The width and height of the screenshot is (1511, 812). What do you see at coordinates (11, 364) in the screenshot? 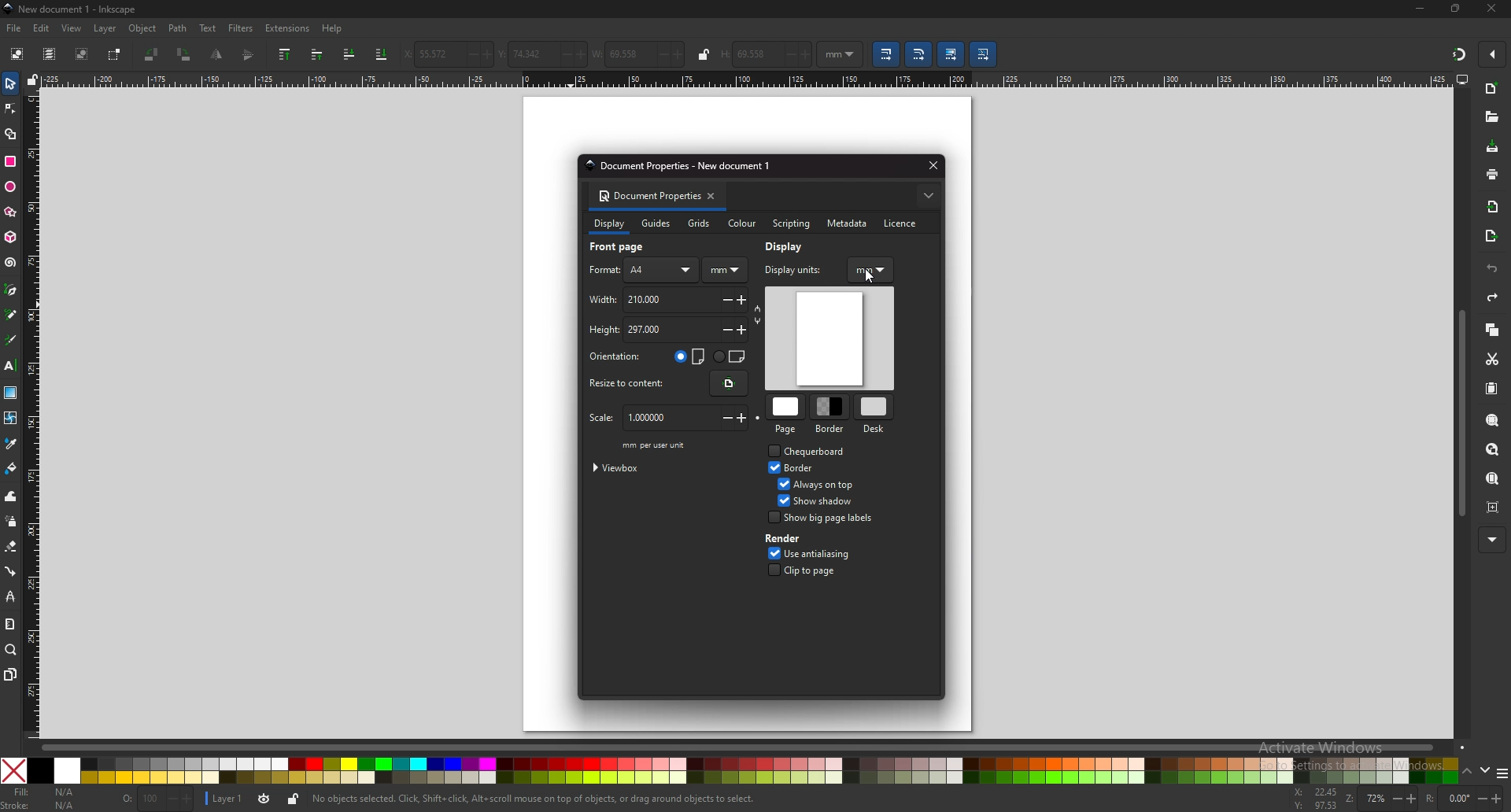
I see `text` at bounding box center [11, 364].